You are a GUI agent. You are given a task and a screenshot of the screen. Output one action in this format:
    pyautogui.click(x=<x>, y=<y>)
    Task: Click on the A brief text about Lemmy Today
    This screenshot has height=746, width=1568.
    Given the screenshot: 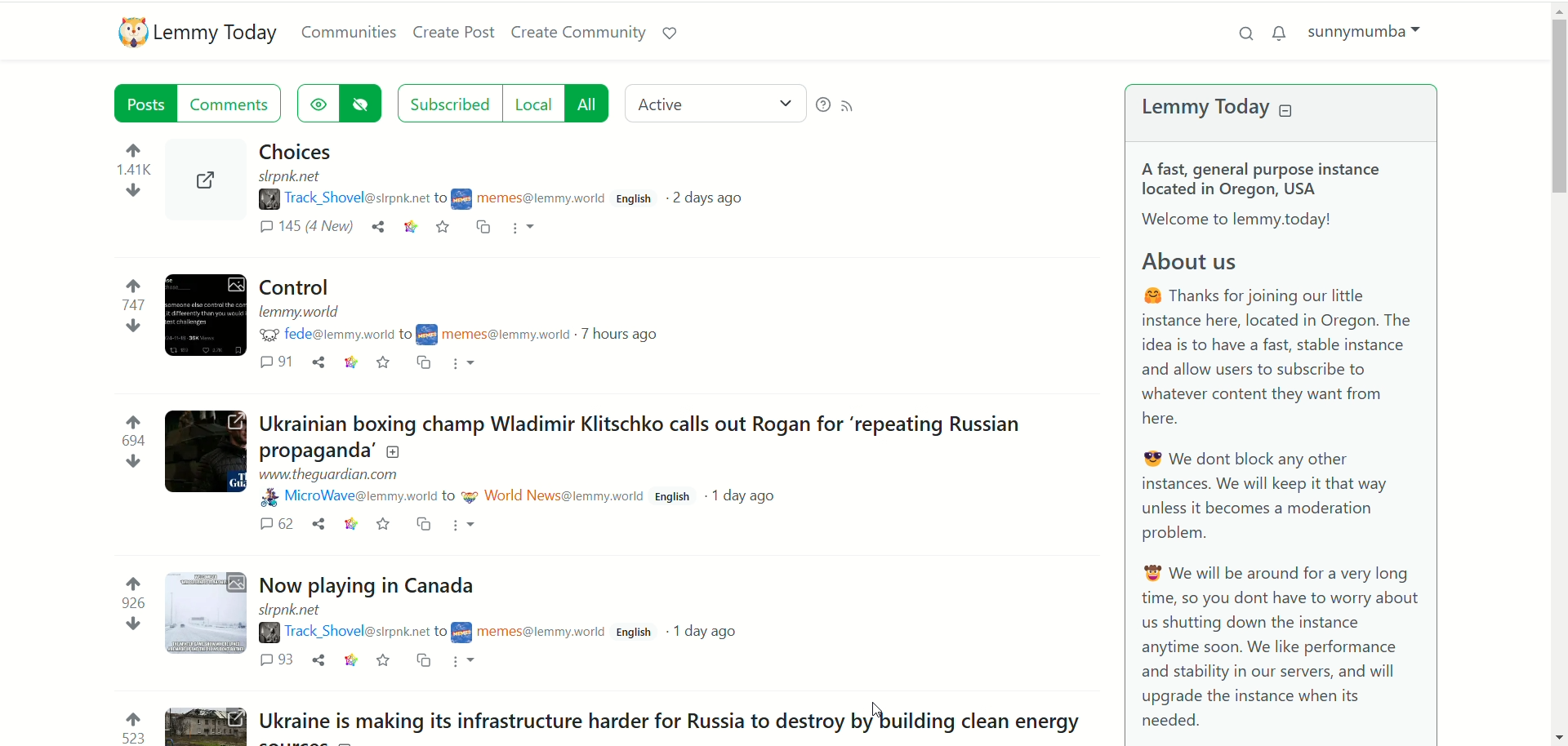 What is the action you would take?
    pyautogui.click(x=1290, y=444)
    